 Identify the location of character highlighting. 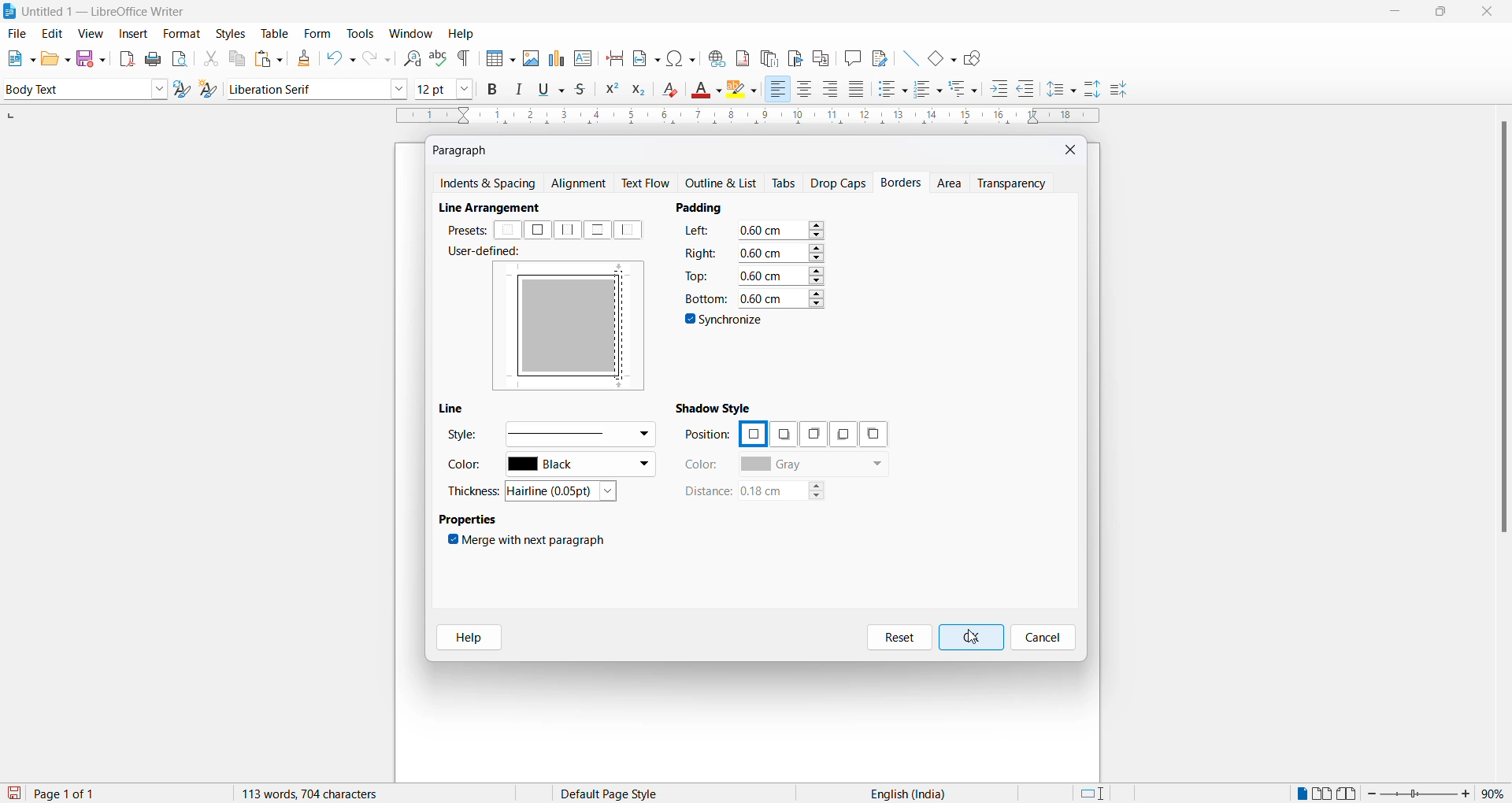
(746, 91).